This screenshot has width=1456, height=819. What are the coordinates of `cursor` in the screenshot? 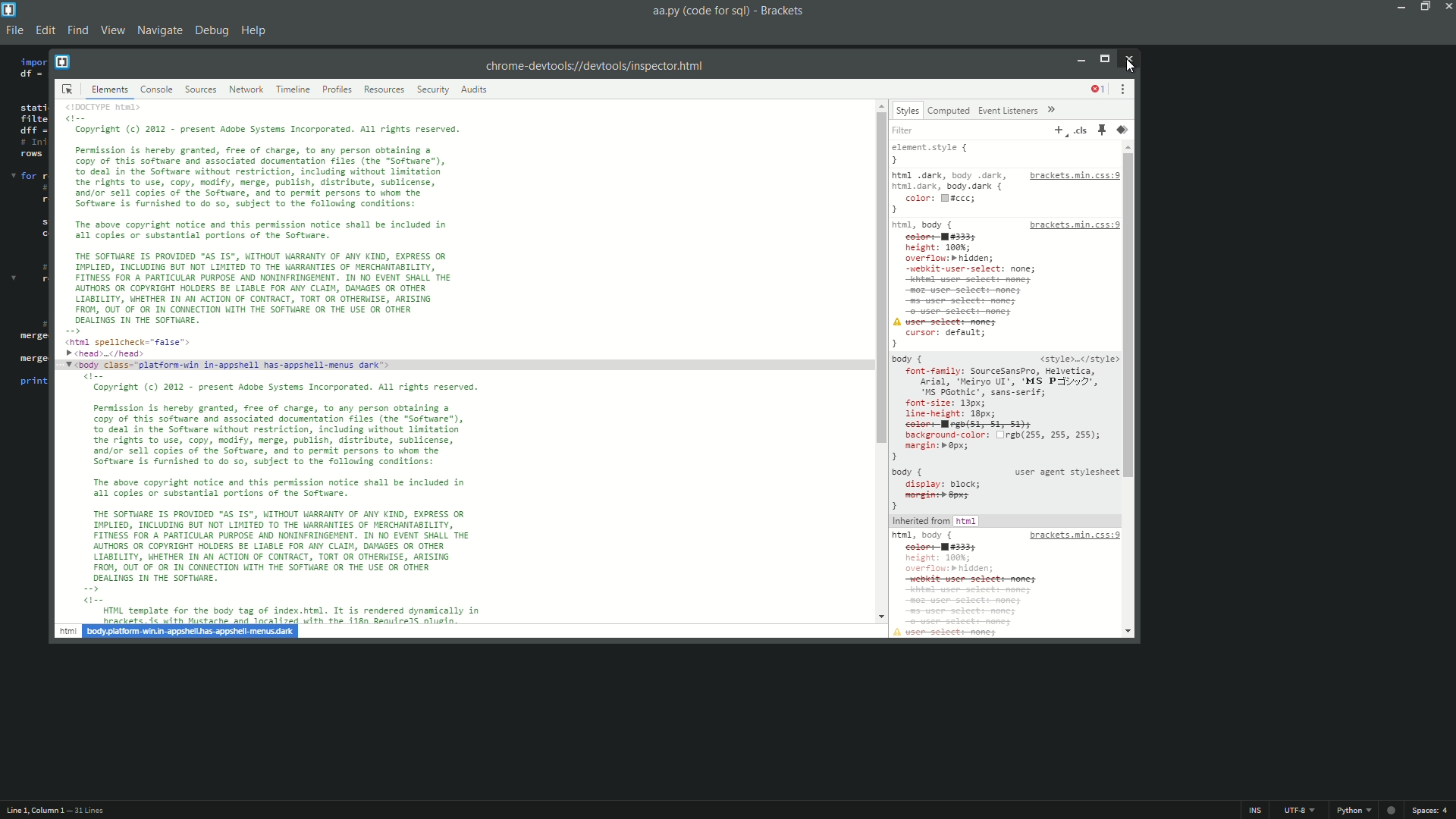 It's located at (1128, 67).